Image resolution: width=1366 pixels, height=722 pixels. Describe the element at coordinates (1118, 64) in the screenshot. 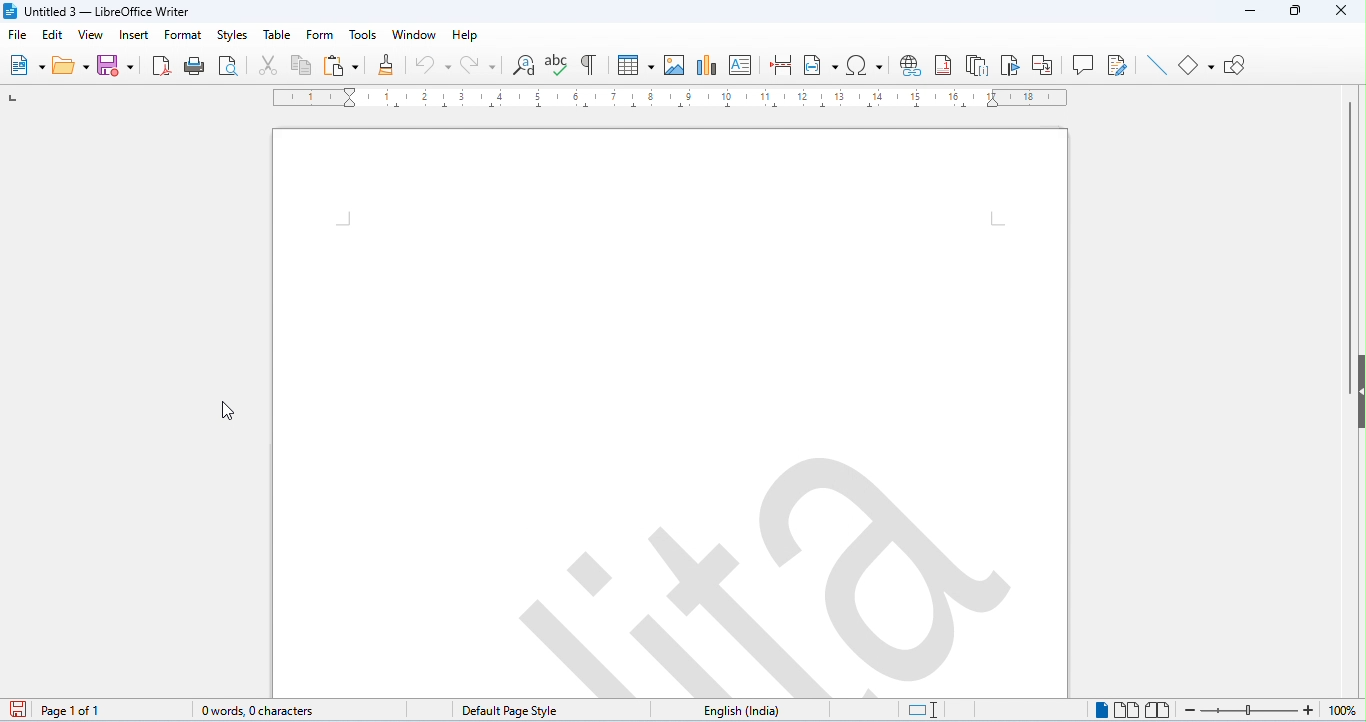

I see `show track changes` at that location.